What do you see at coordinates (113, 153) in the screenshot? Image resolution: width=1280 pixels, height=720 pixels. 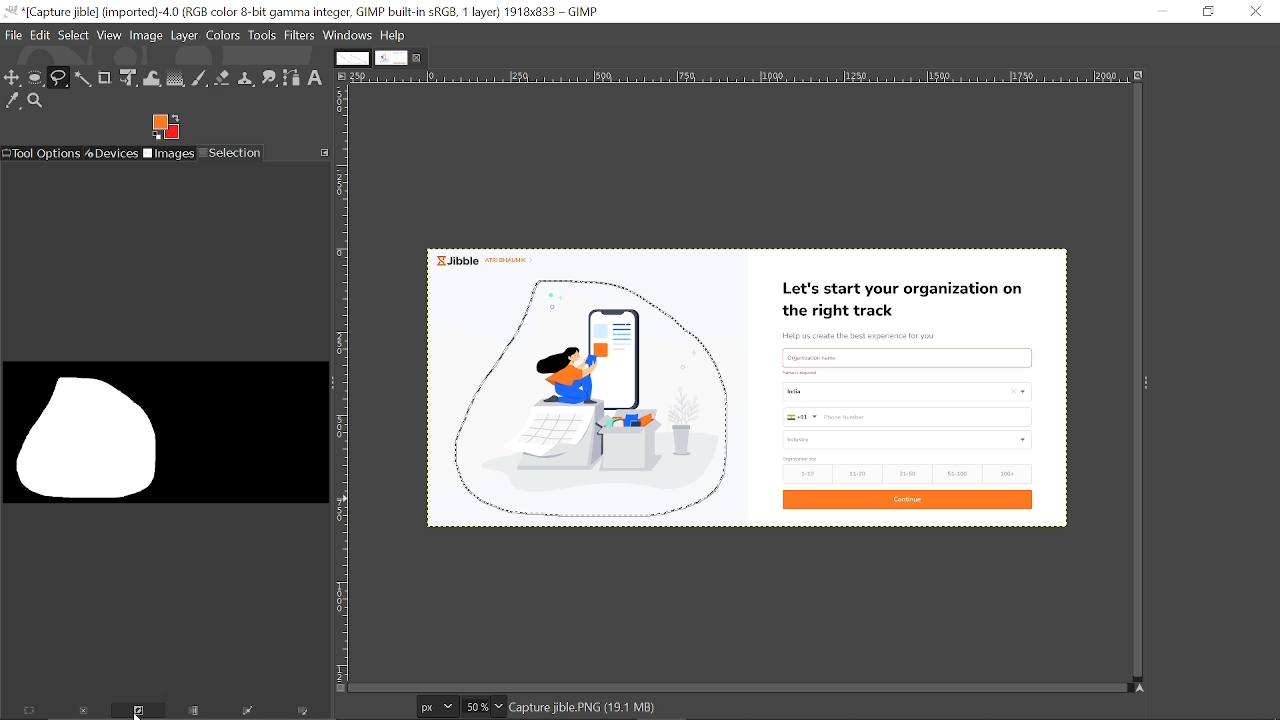 I see `Devices` at bounding box center [113, 153].